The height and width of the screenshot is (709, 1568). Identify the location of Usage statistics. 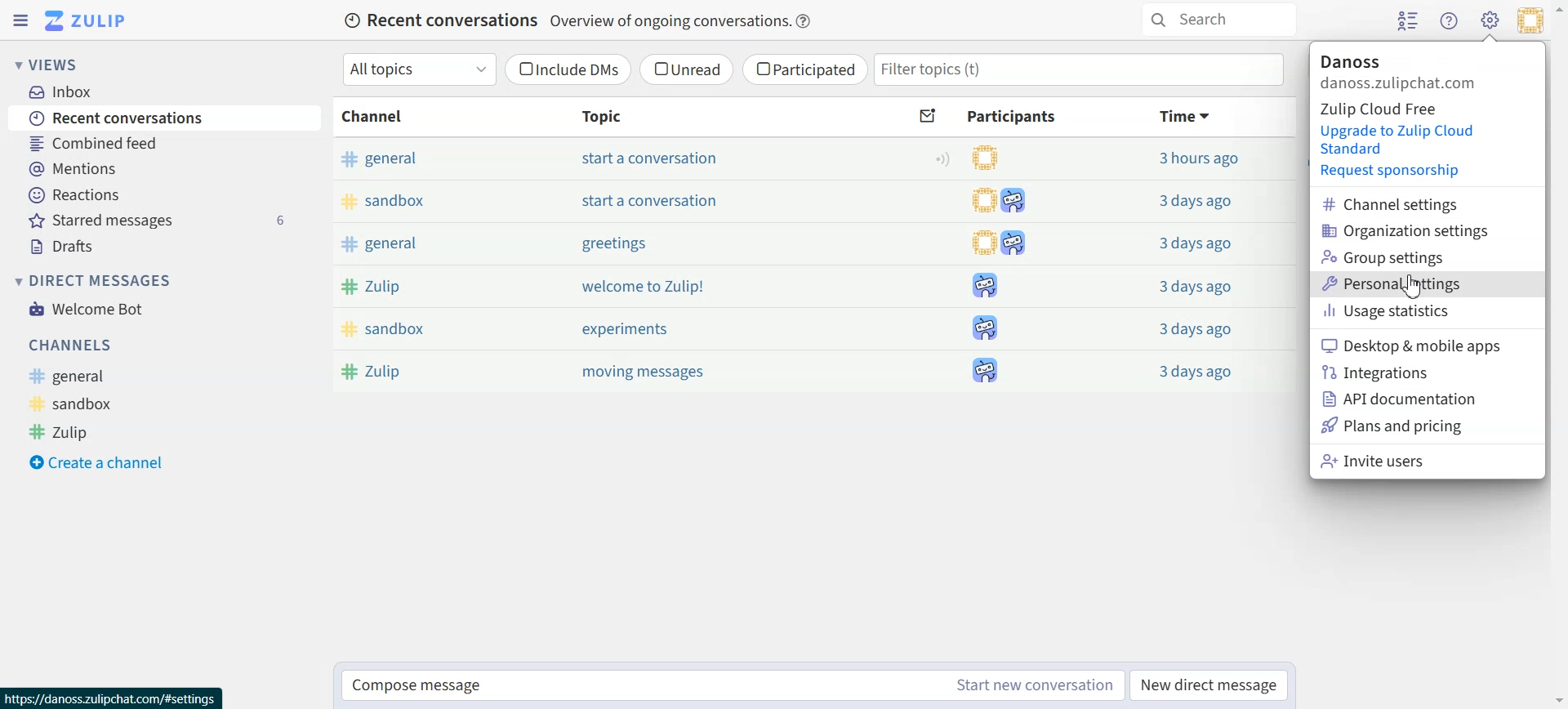
(1427, 313).